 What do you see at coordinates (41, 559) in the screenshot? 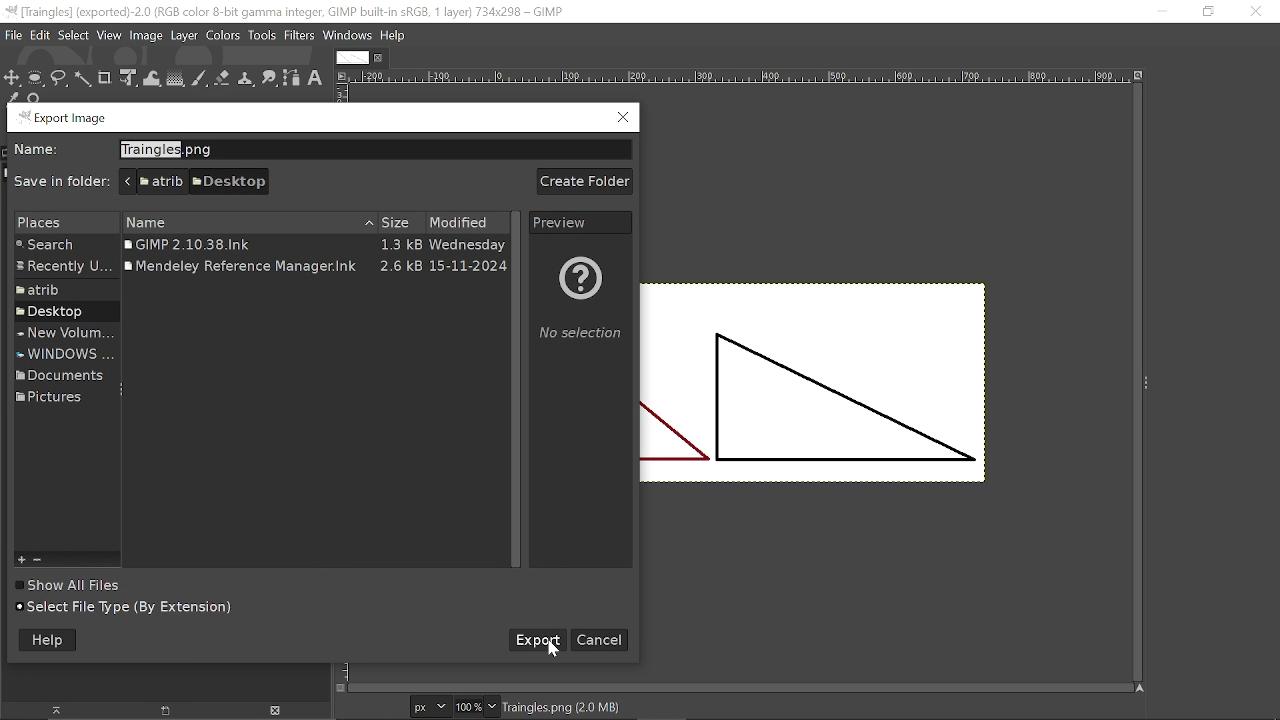
I see `Zoom out` at bounding box center [41, 559].